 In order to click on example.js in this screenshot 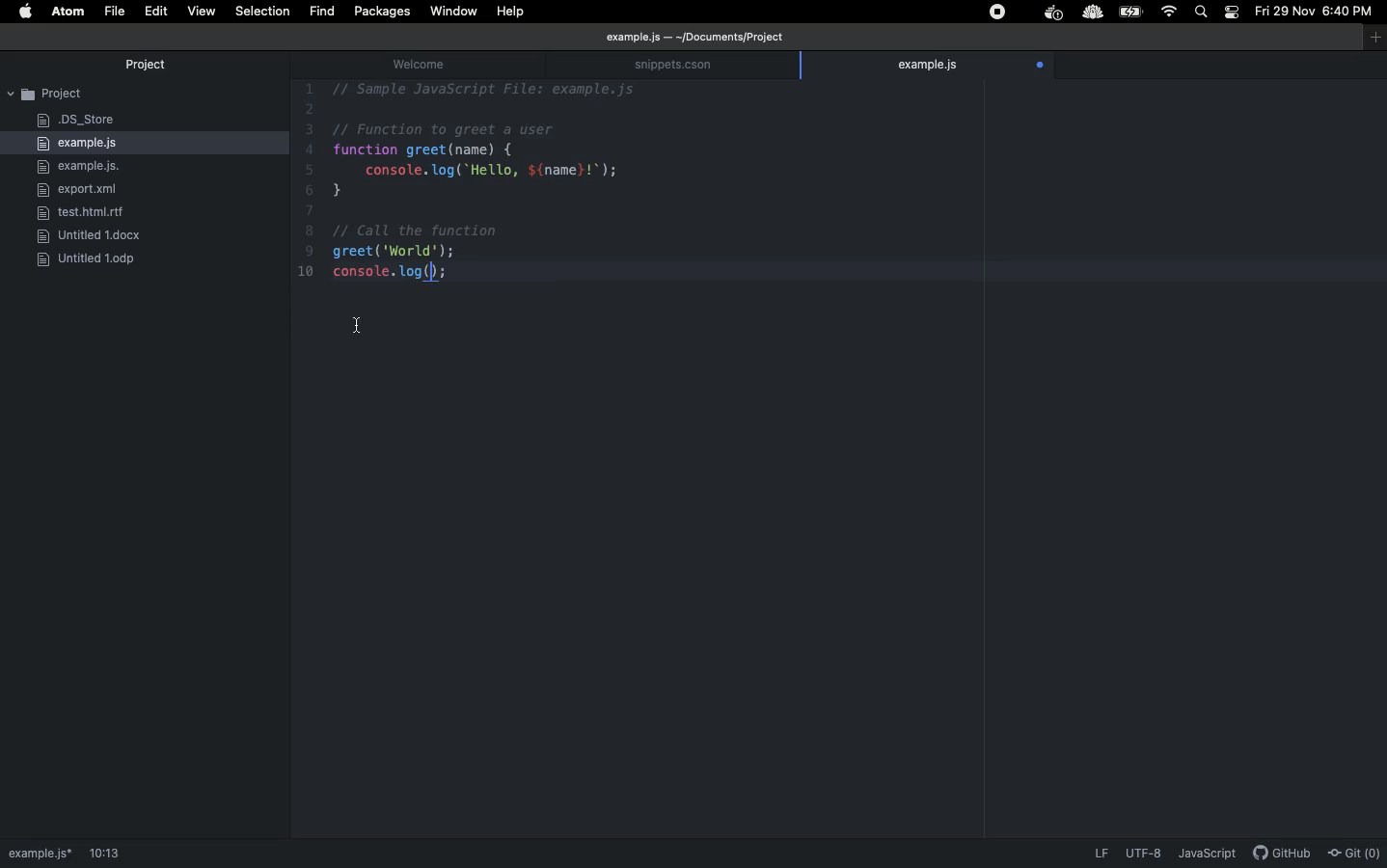, I will do `click(932, 65)`.